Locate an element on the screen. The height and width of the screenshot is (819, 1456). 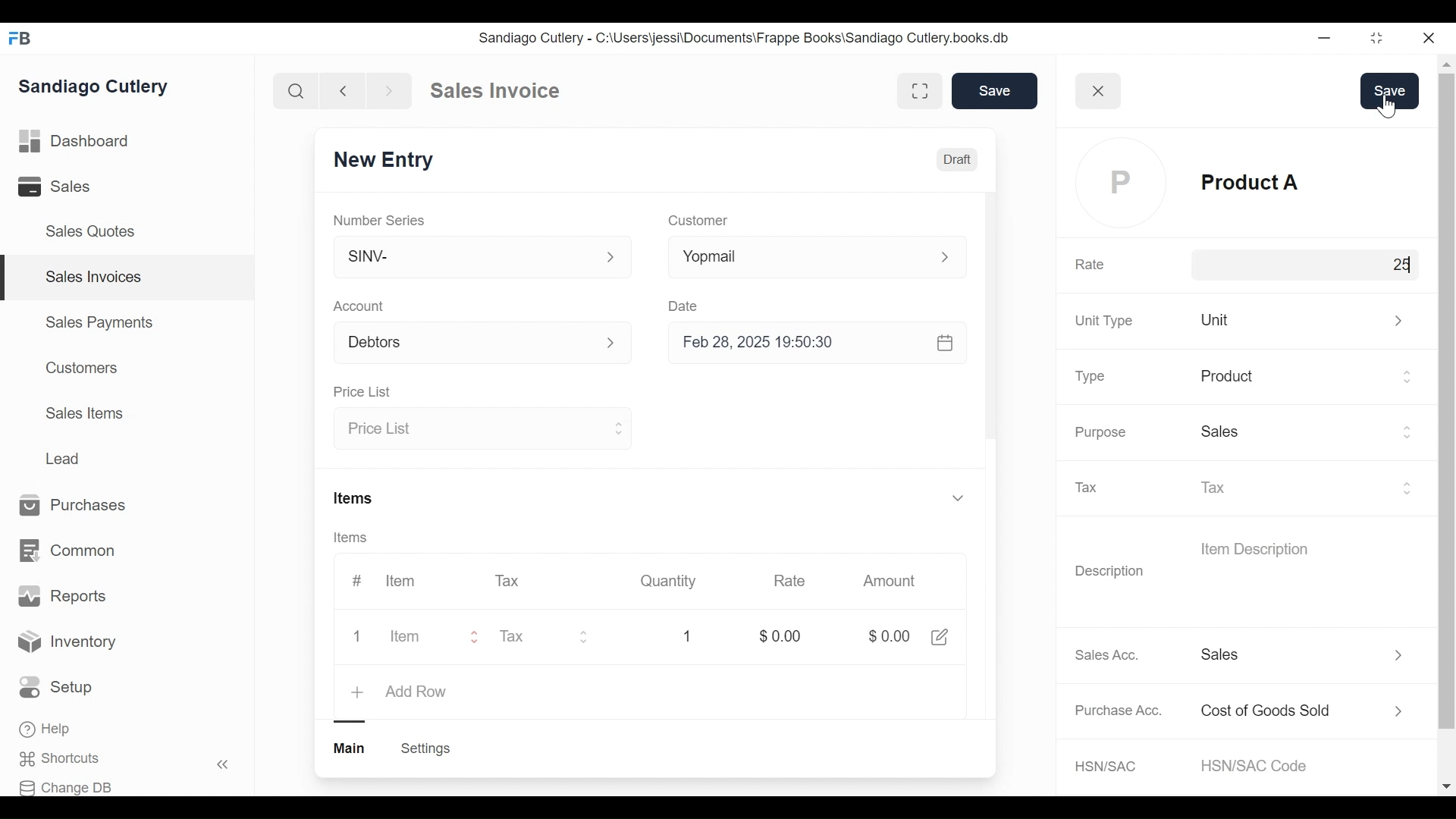
backward is located at coordinates (344, 90).